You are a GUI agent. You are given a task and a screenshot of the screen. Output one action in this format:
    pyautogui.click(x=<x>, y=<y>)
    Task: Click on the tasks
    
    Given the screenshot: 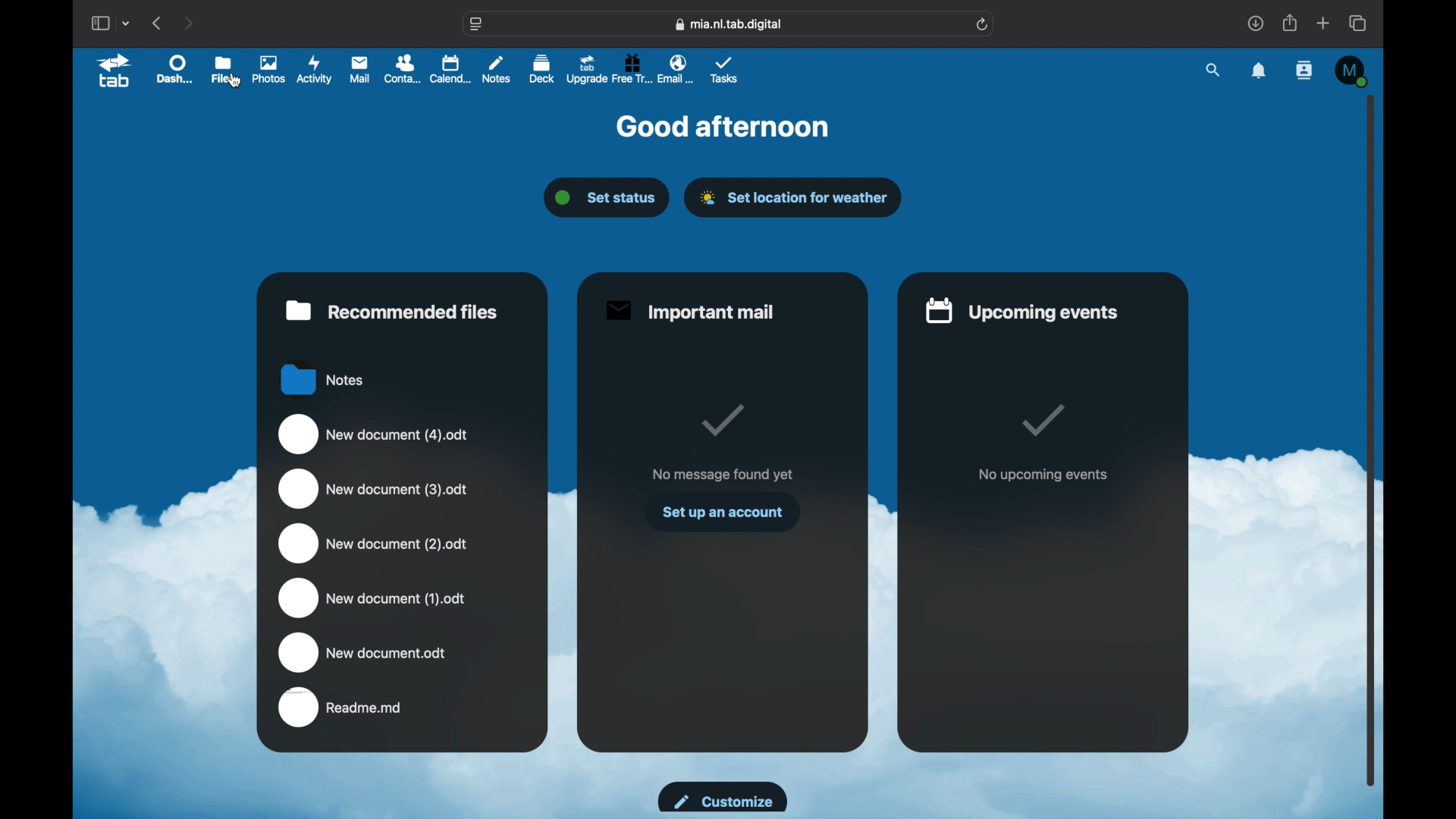 What is the action you would take?
    pyautogui.click(x=725, y=71)
    